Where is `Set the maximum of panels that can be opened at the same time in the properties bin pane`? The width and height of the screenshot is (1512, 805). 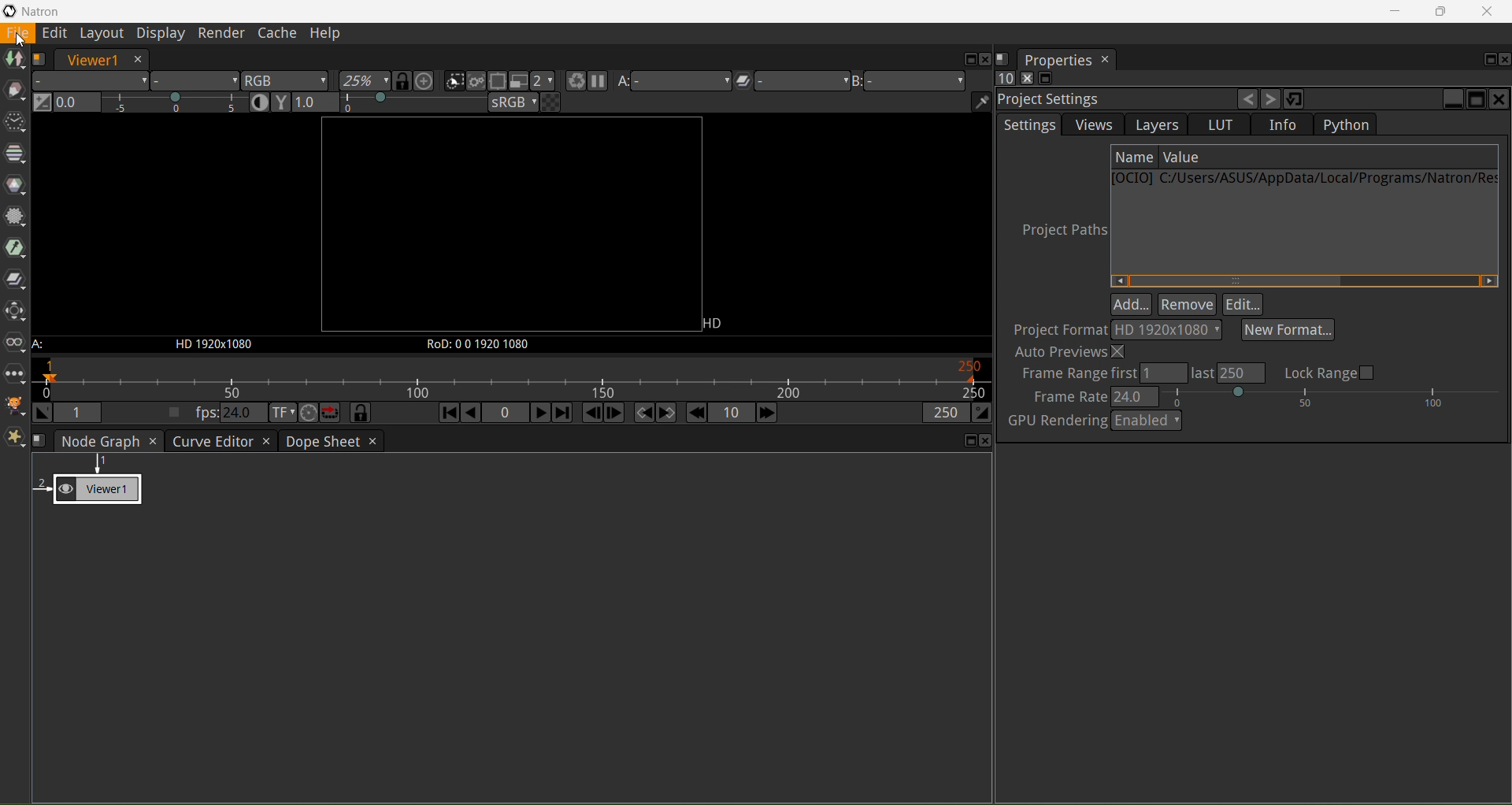 Set the maximum of panels that can be opened at the same time in the properties bin pane is located at coordinates (1006, 80).